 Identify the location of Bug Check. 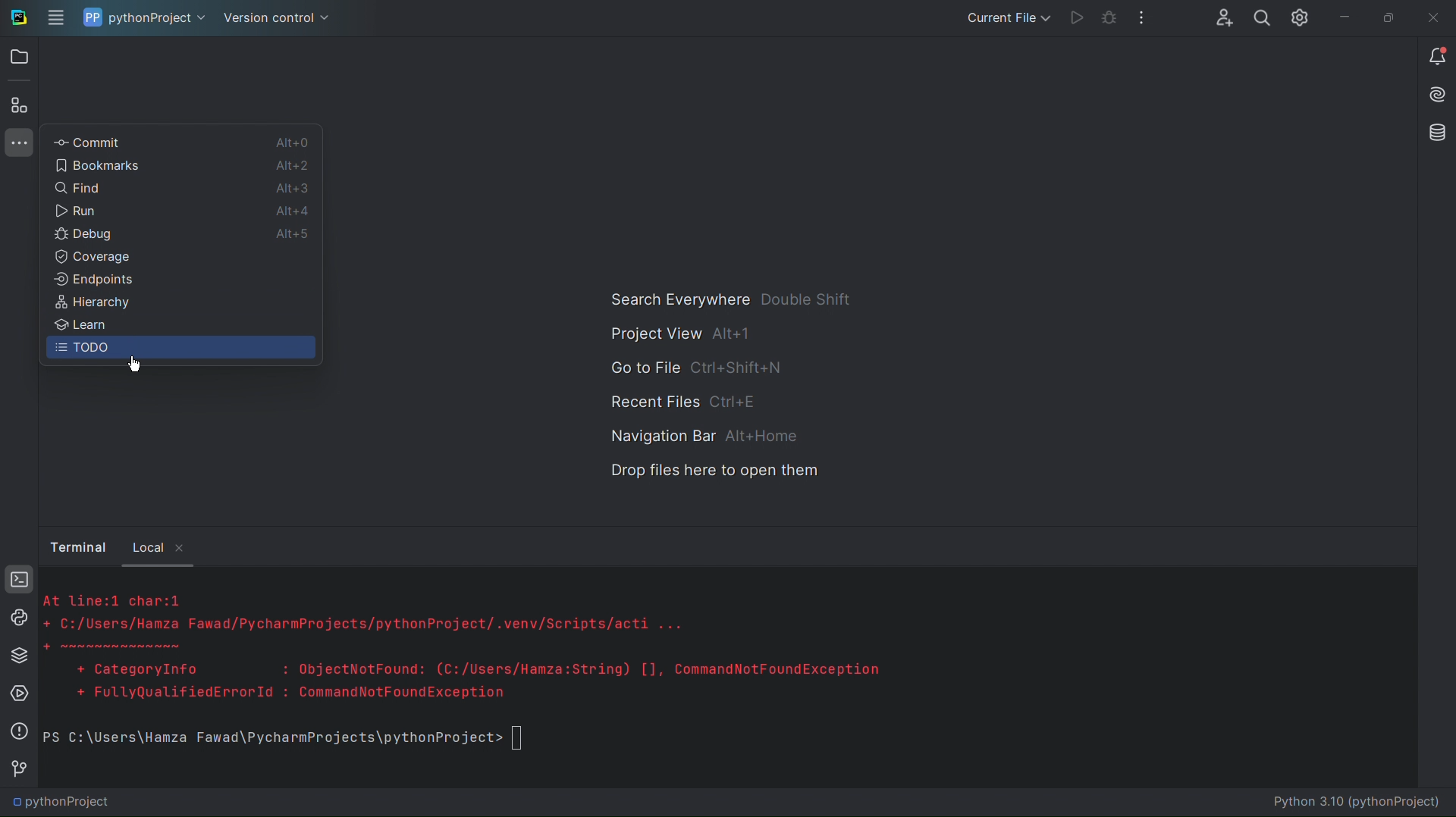
(1107, 19).